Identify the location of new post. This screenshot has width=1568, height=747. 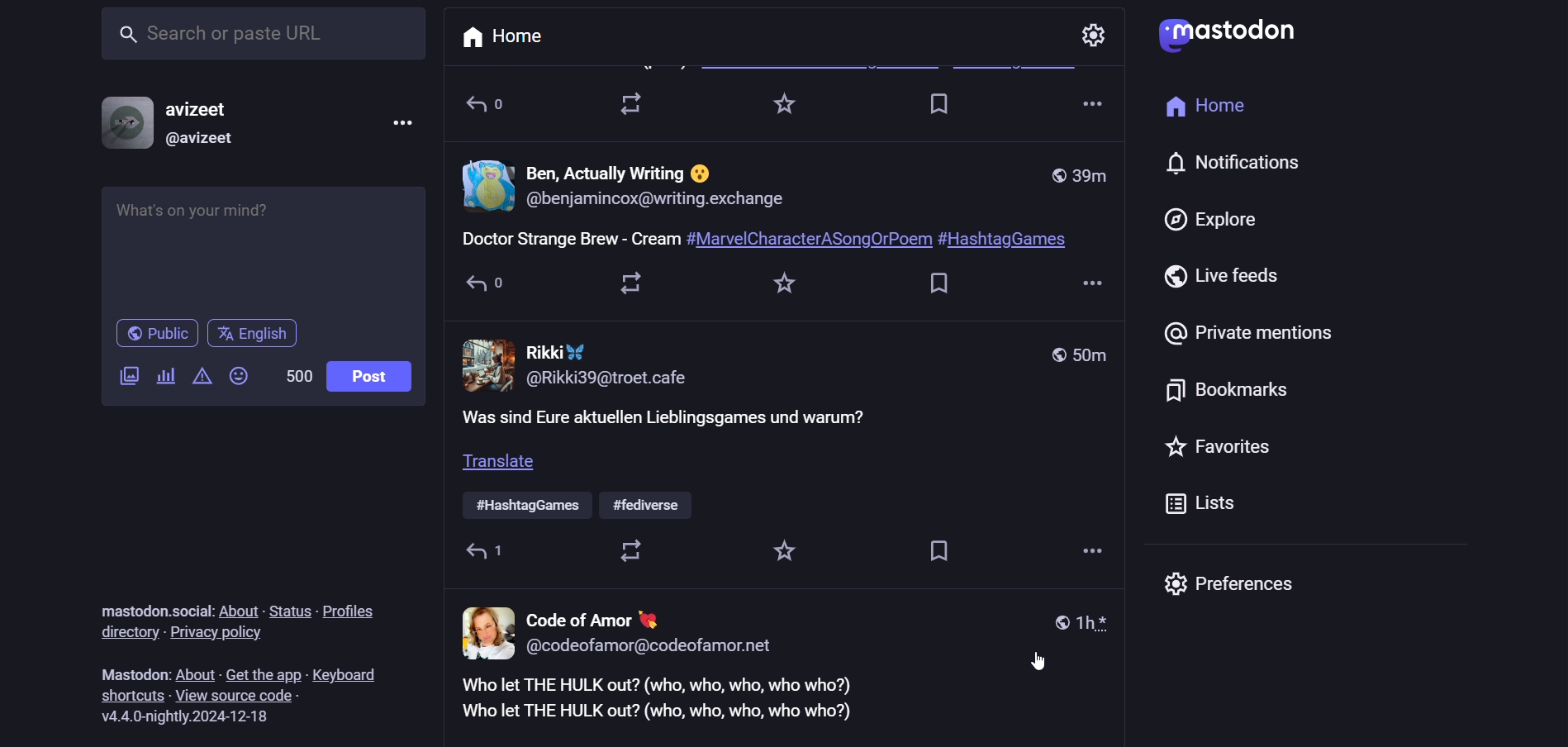
(769, 240).